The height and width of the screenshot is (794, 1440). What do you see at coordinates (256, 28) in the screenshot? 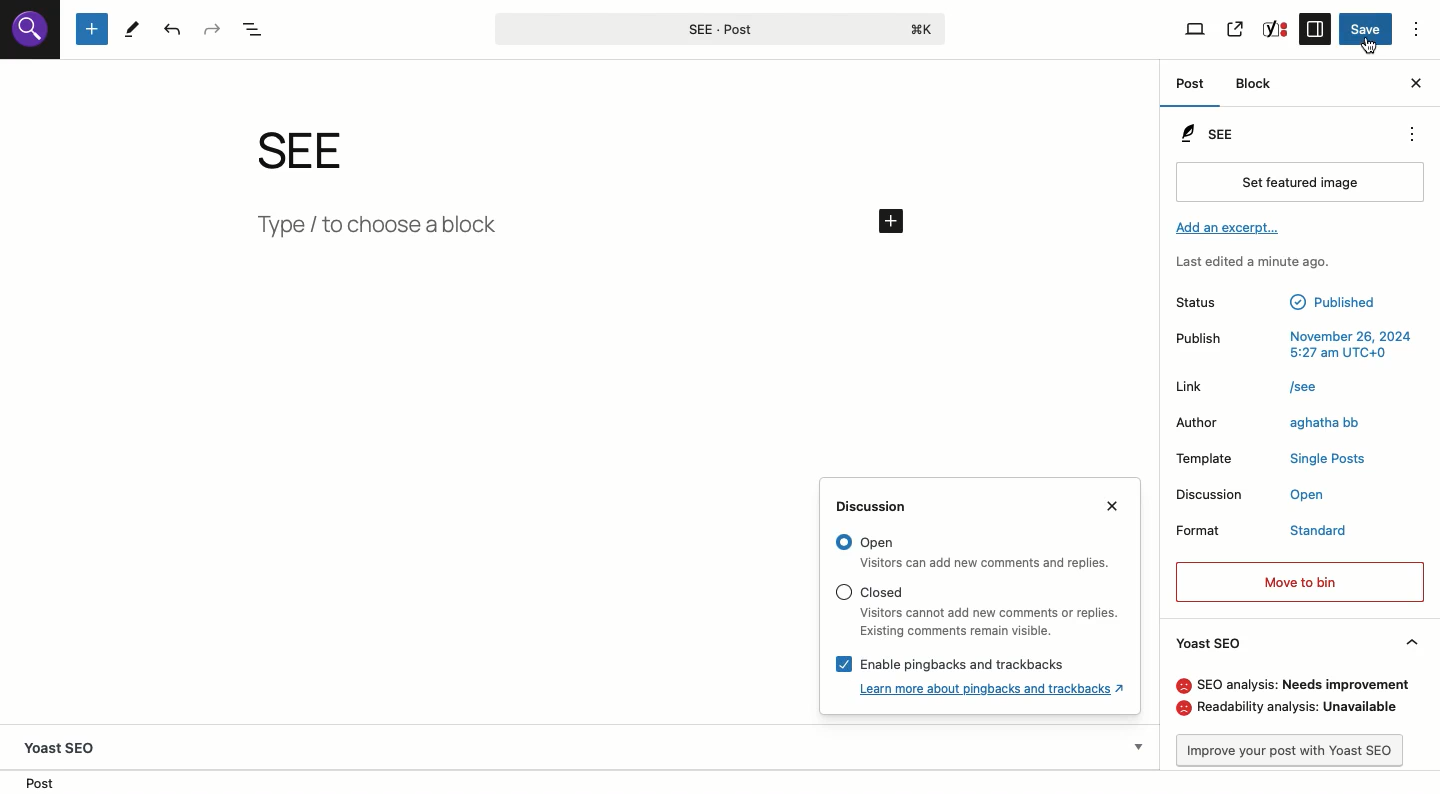
I see `Document overview` at bounding box center [256, 28].